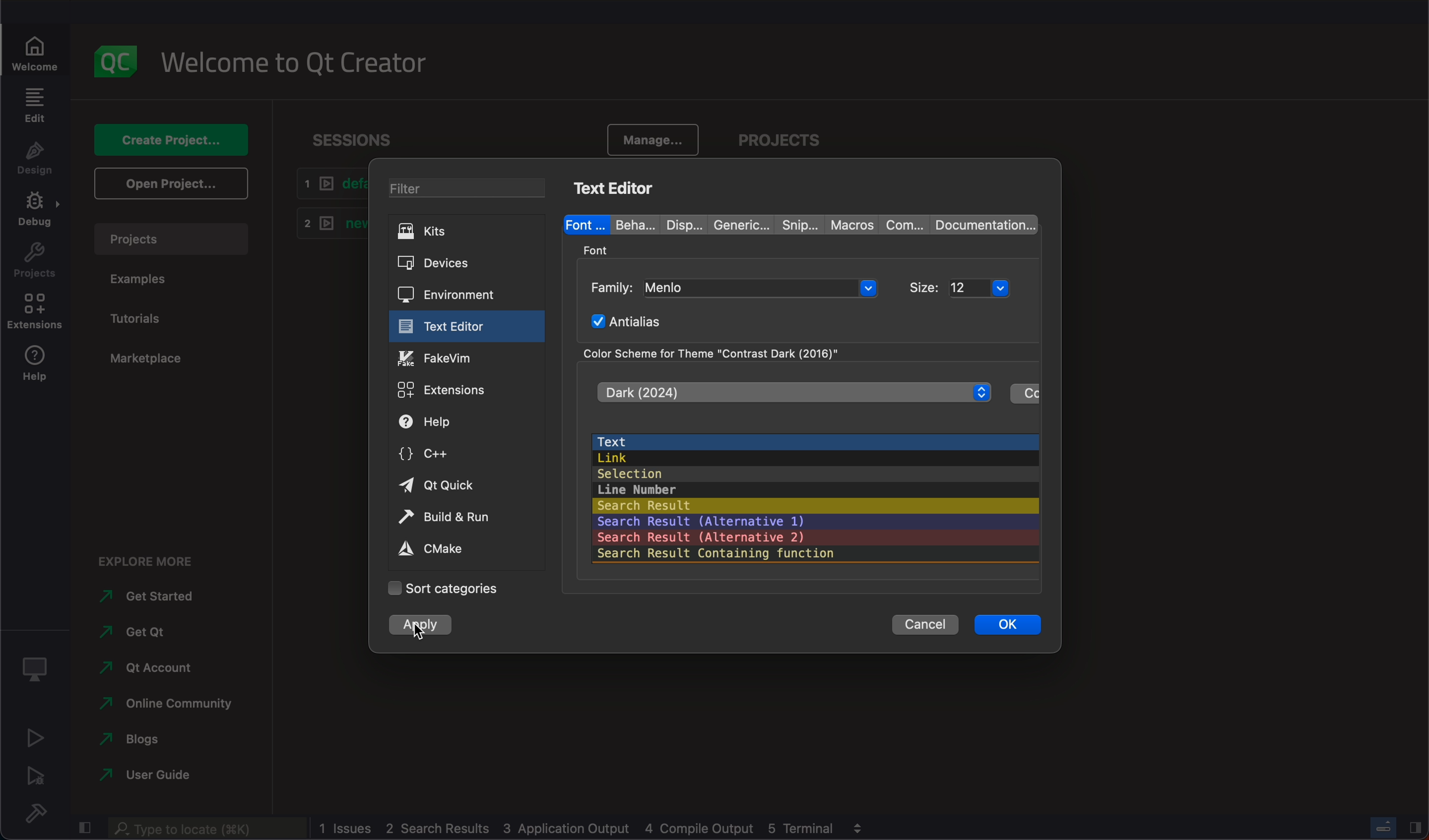  I want to click on kits, so click(468, 233).